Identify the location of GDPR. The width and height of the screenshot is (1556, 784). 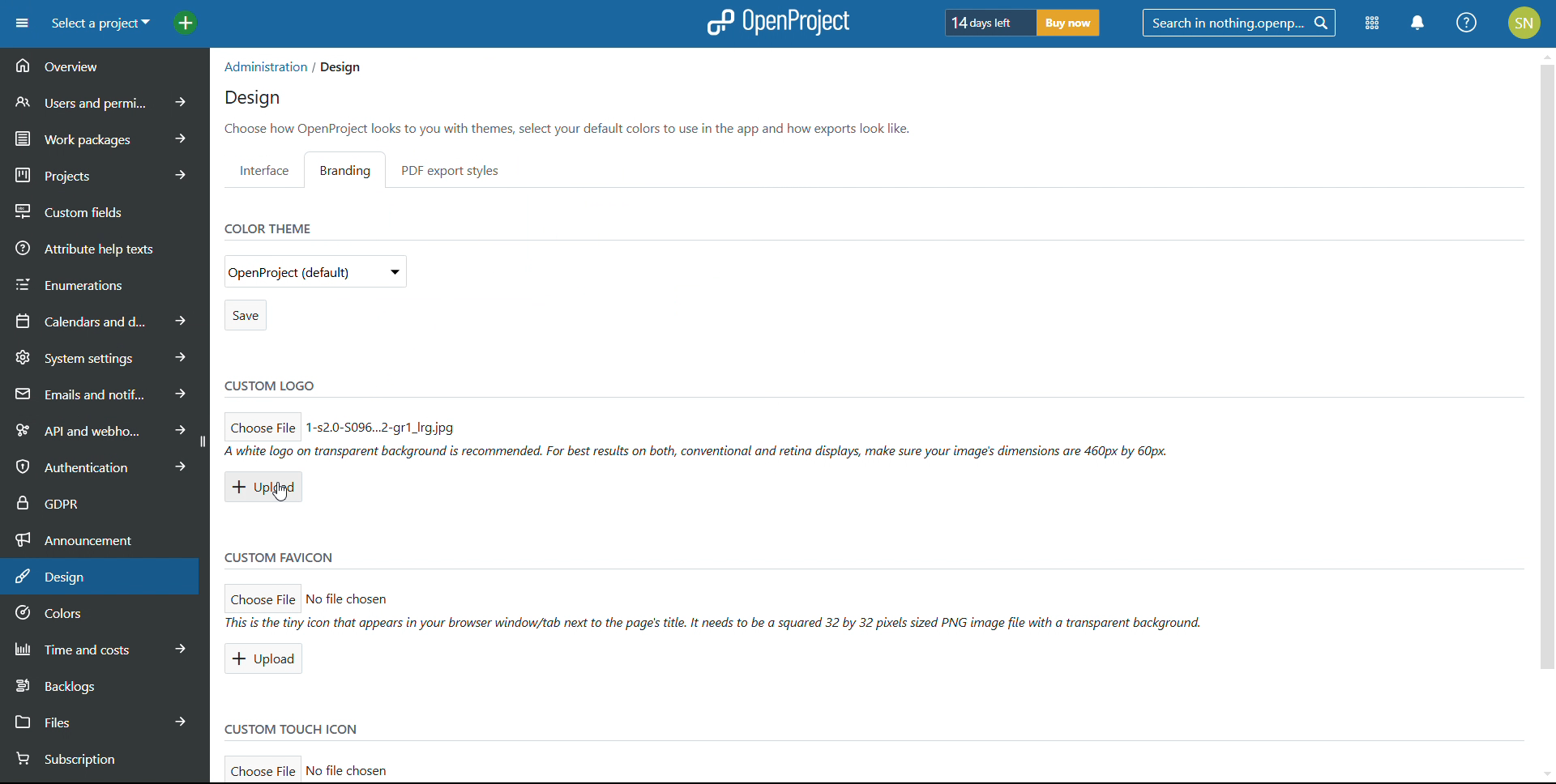
(104, 501).